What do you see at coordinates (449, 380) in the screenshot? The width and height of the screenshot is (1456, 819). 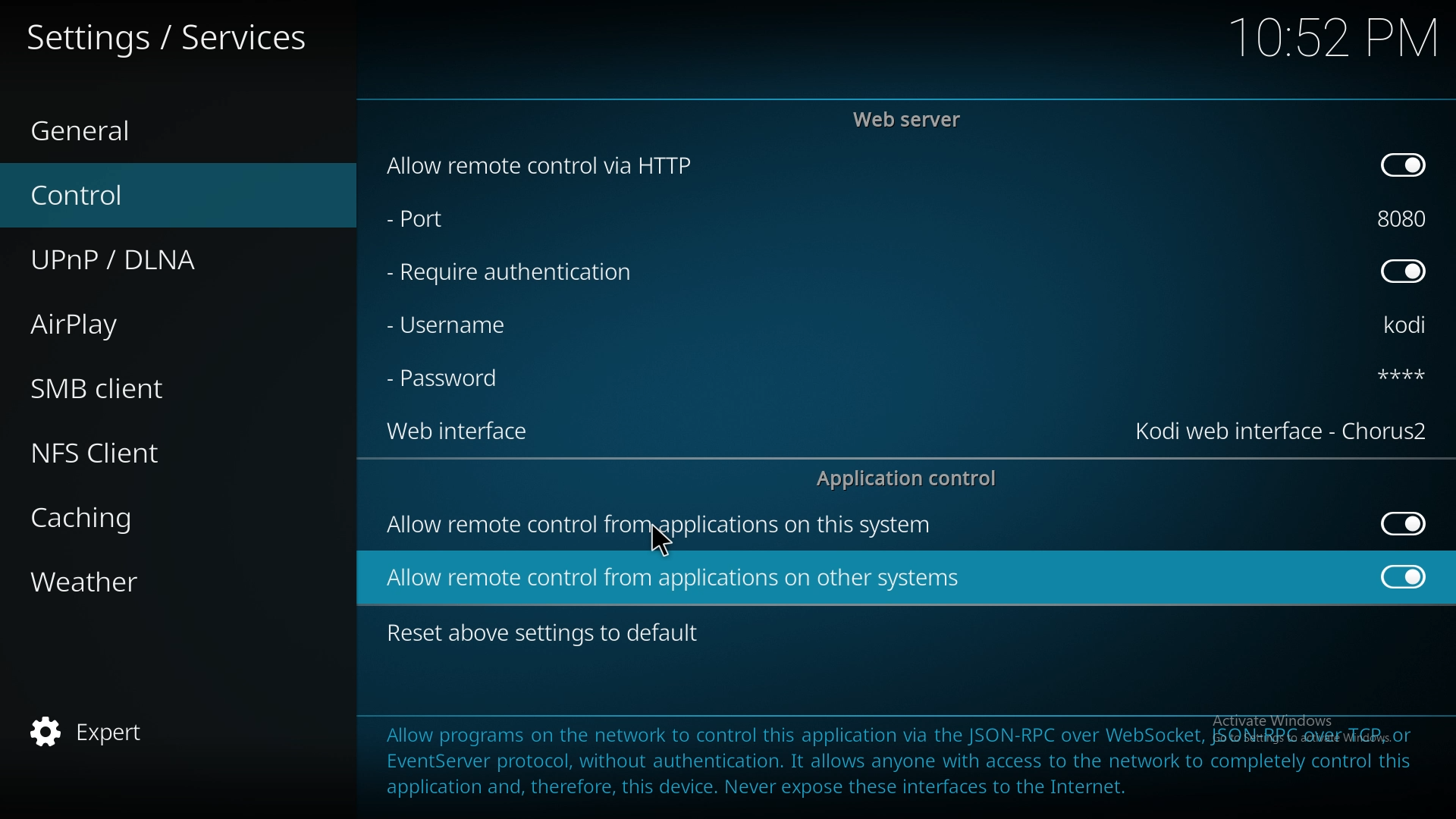 I see `password` at bounding box center [449, 380].